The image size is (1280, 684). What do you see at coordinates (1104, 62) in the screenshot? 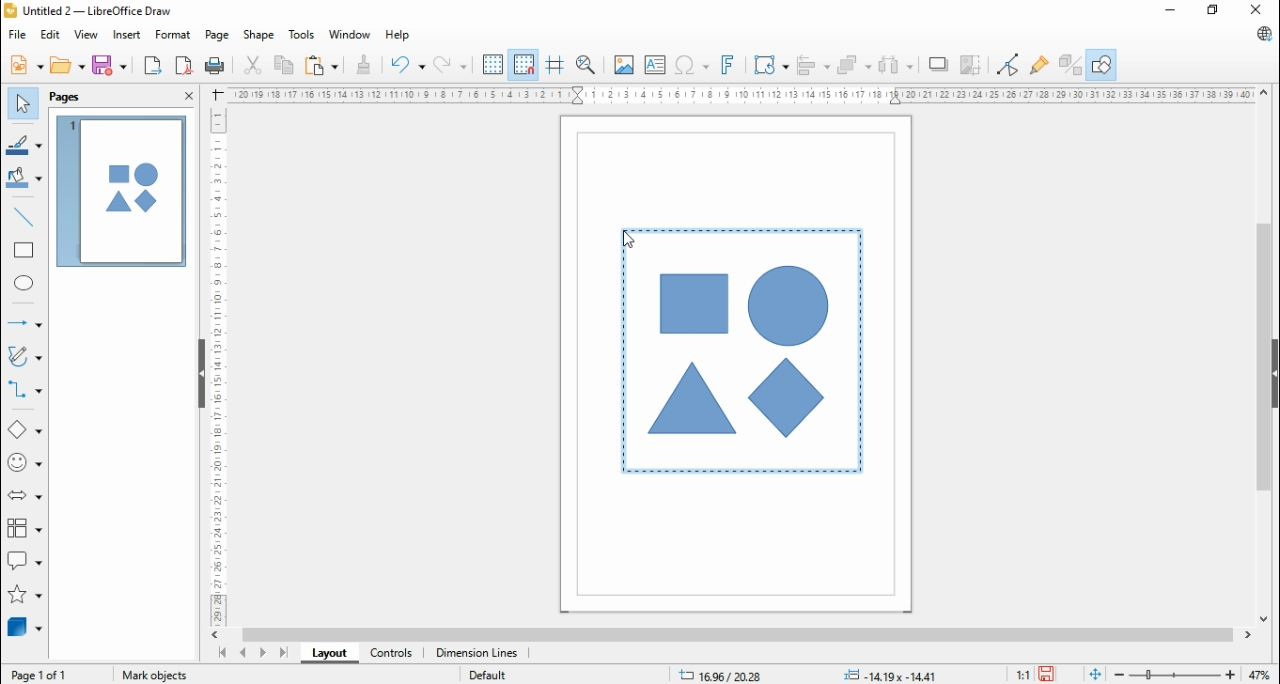
I see `show draw functions` at bounding box center [1104, 62].